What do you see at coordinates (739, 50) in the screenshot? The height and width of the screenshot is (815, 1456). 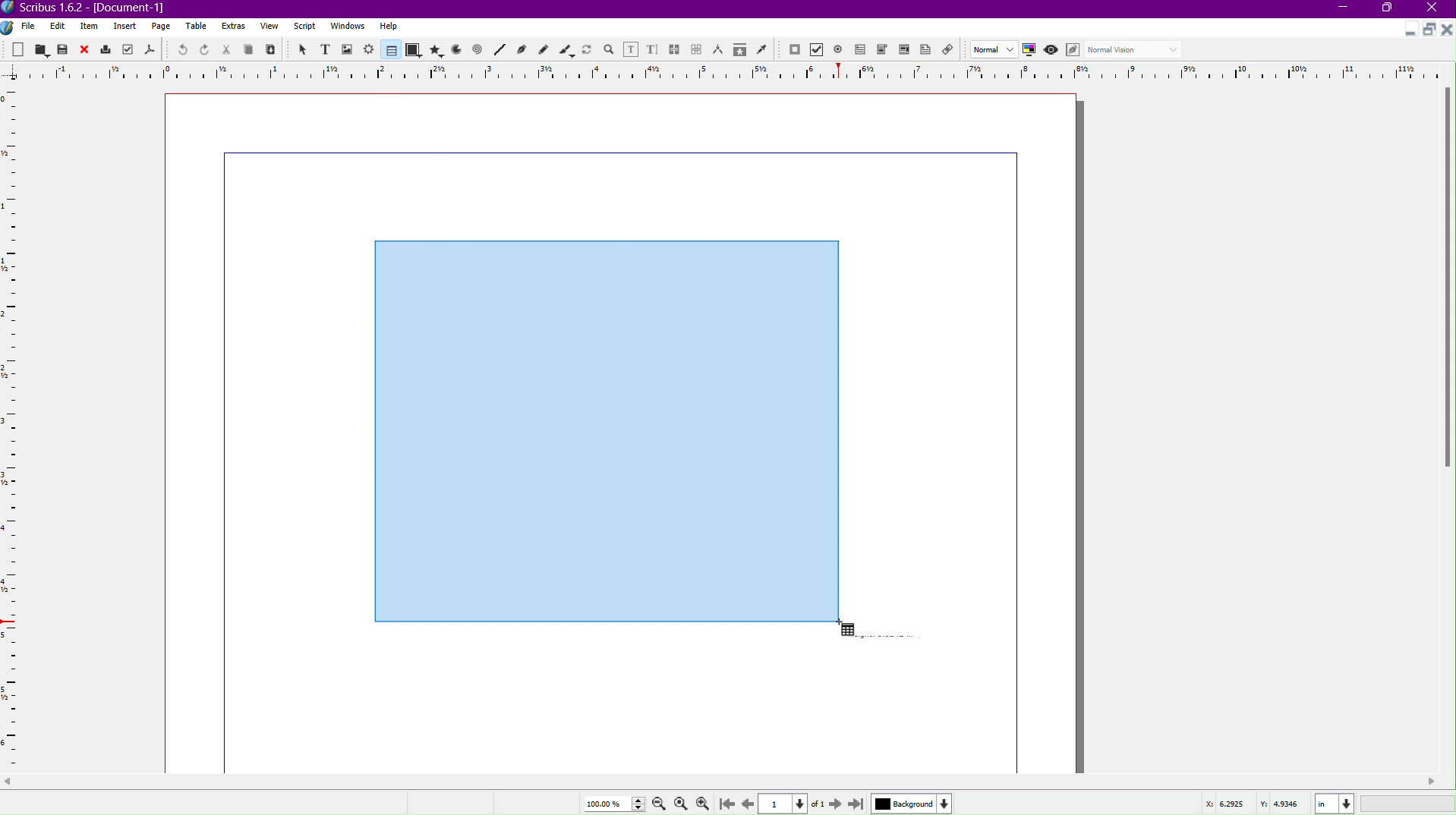 I see `Copy Item Properties` at bounding box center [739, 50].